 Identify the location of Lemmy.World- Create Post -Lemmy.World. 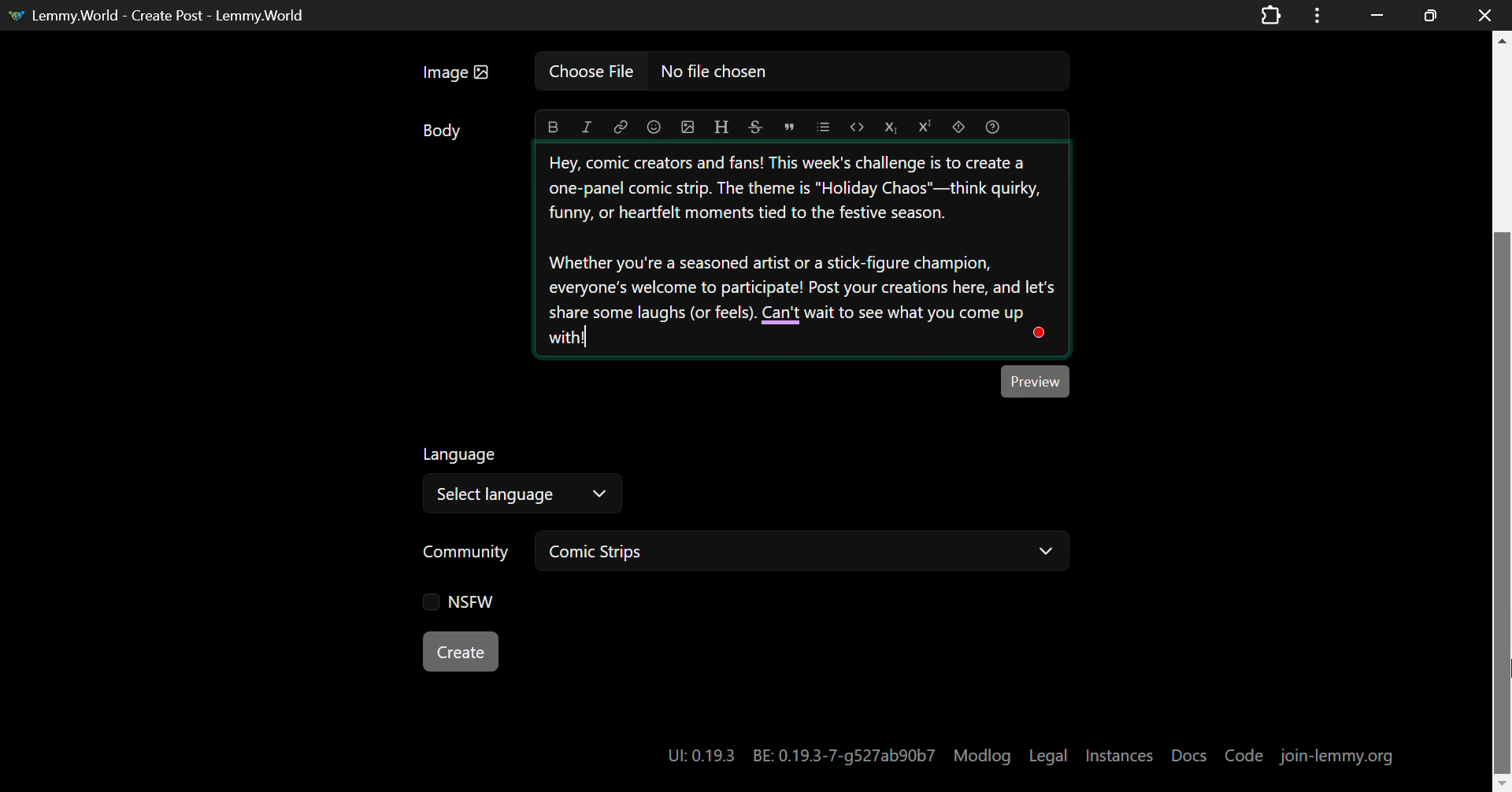
(162, 13).